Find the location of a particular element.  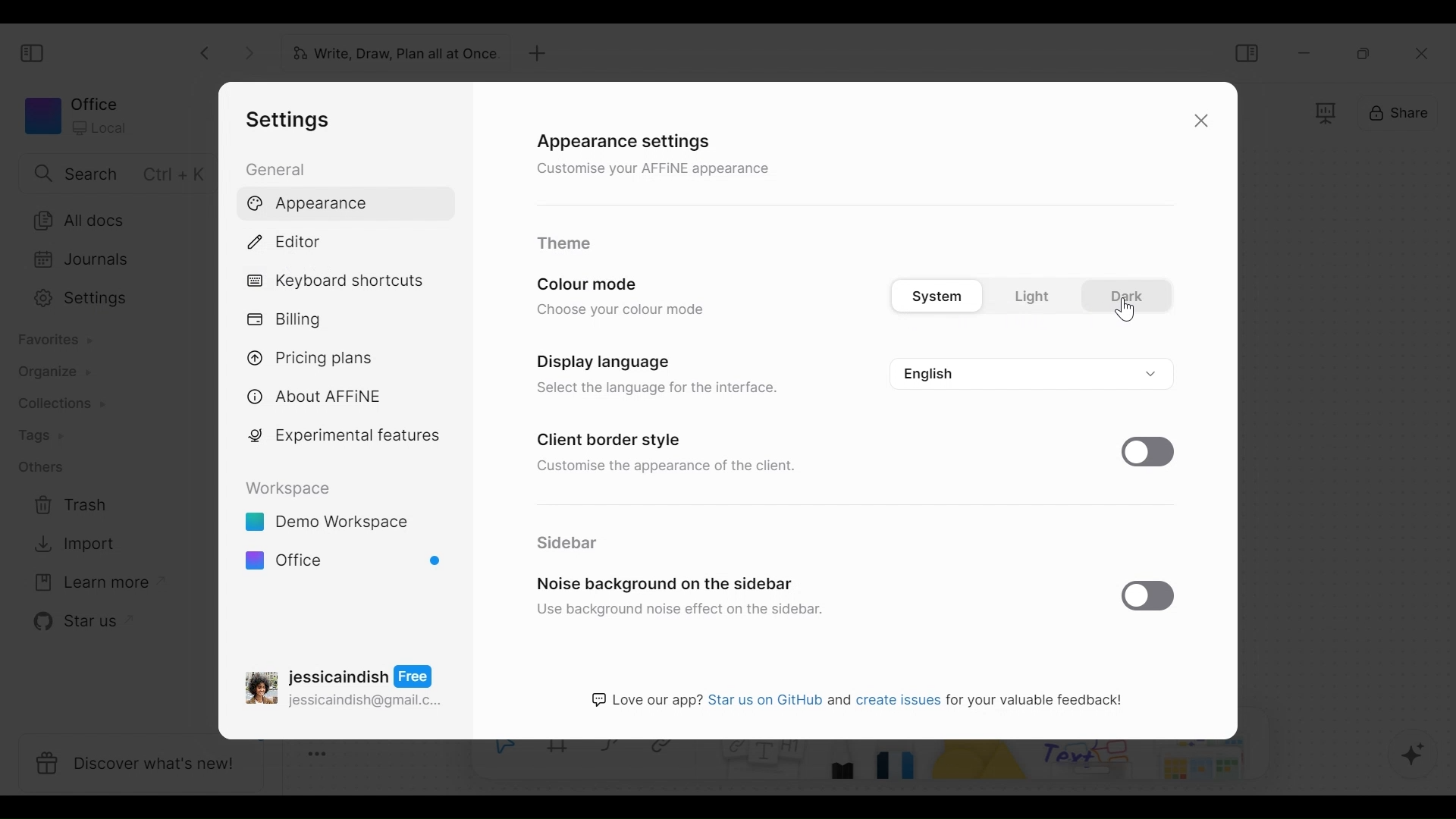

Appearance settings is located at coordinates (656, 152).